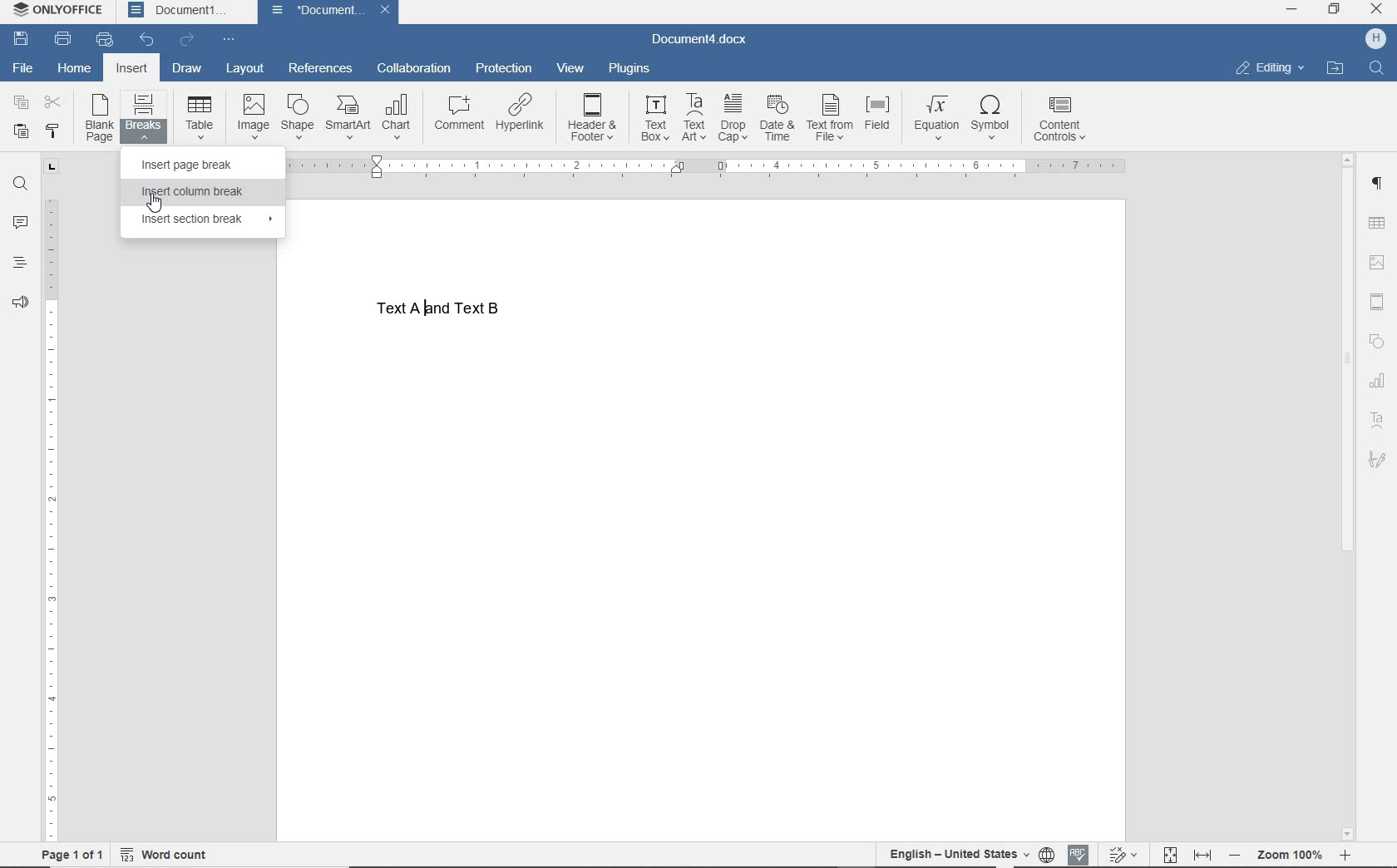  Describe the element at coordinates (1078, 851) in the screenshot. I see `SPELL CHECKING` at that location.